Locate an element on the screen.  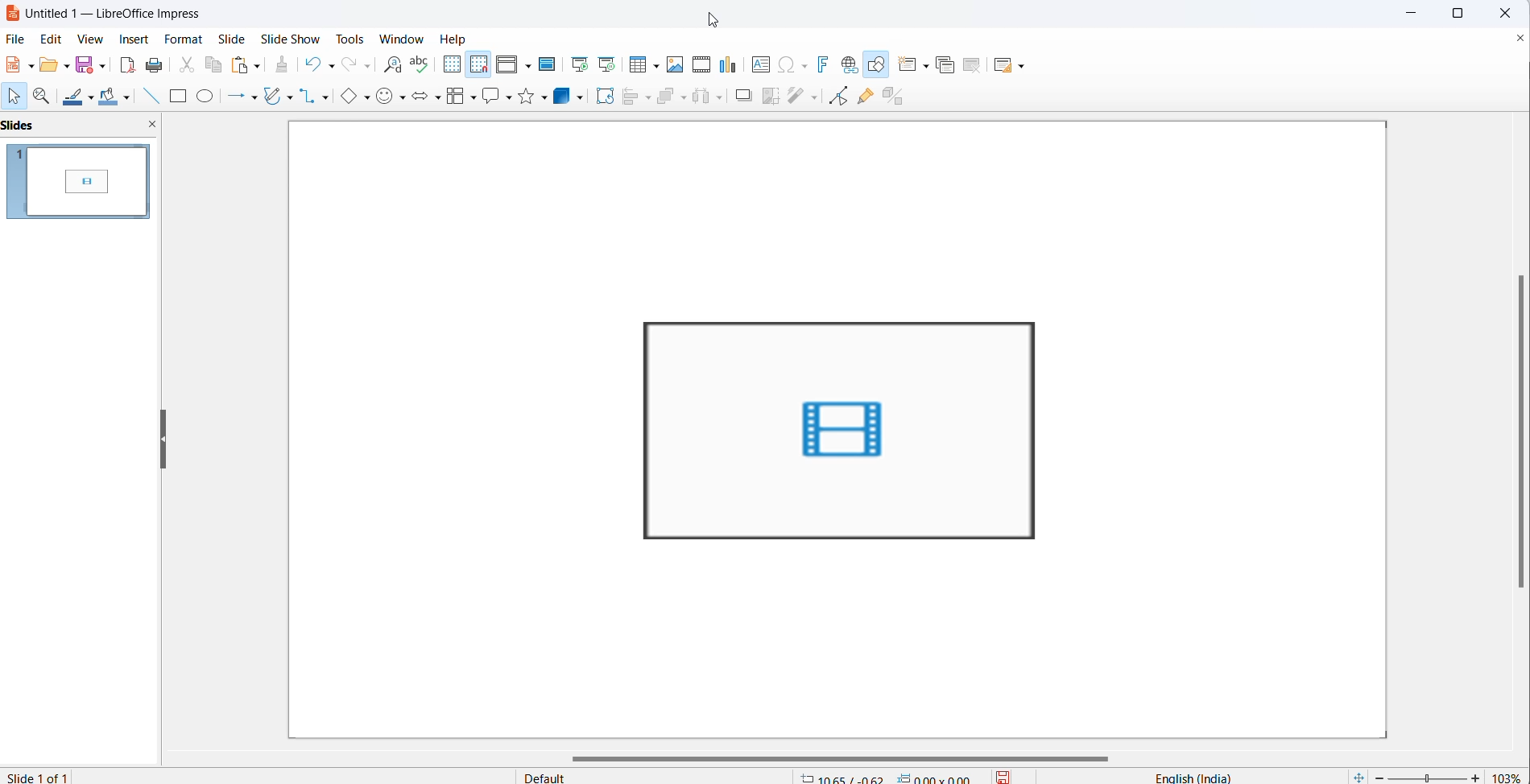
rotate is located at coordinates (604, 95).